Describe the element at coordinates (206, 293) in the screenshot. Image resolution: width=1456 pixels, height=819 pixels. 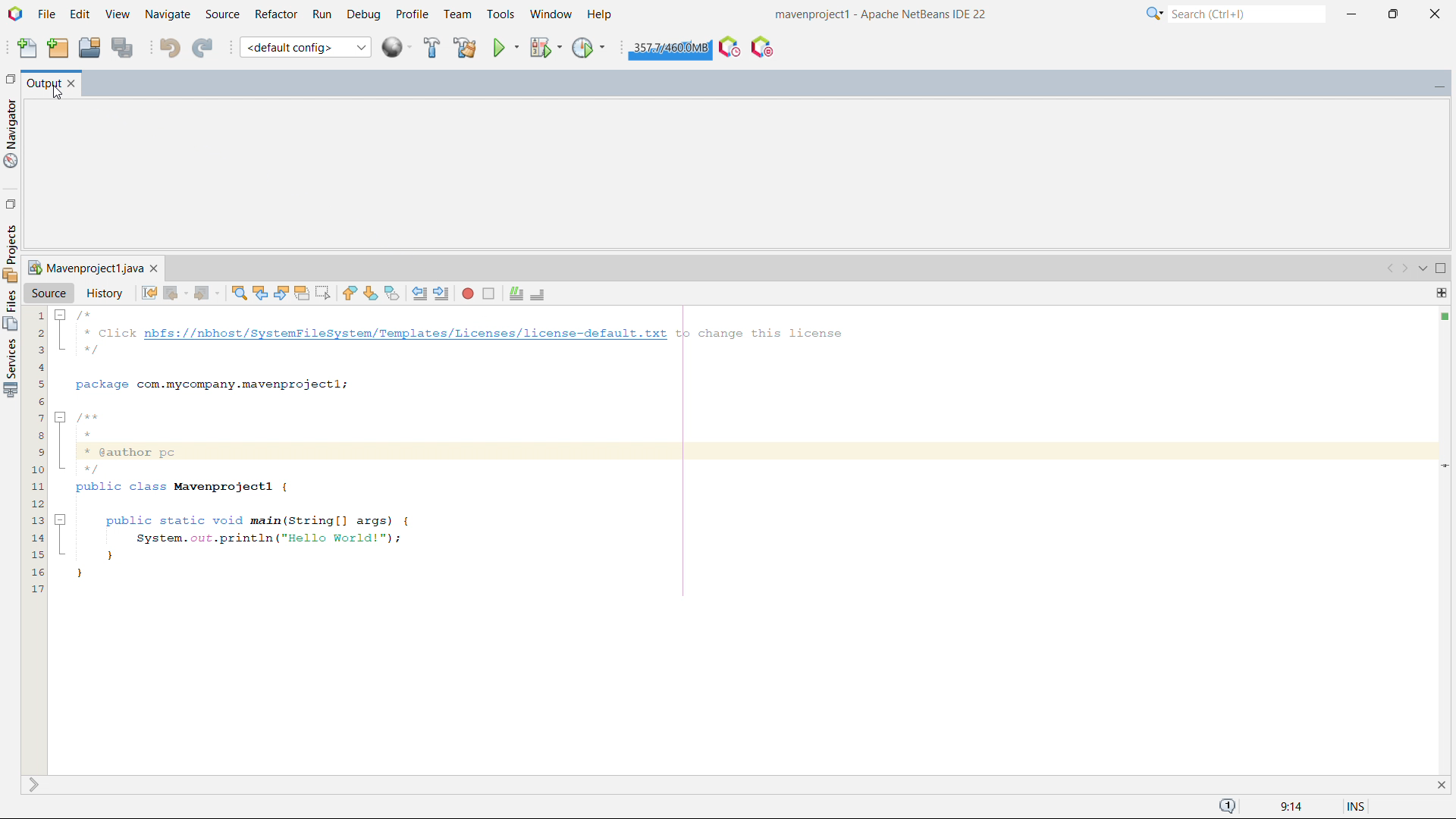
I see `forward ` at that location.